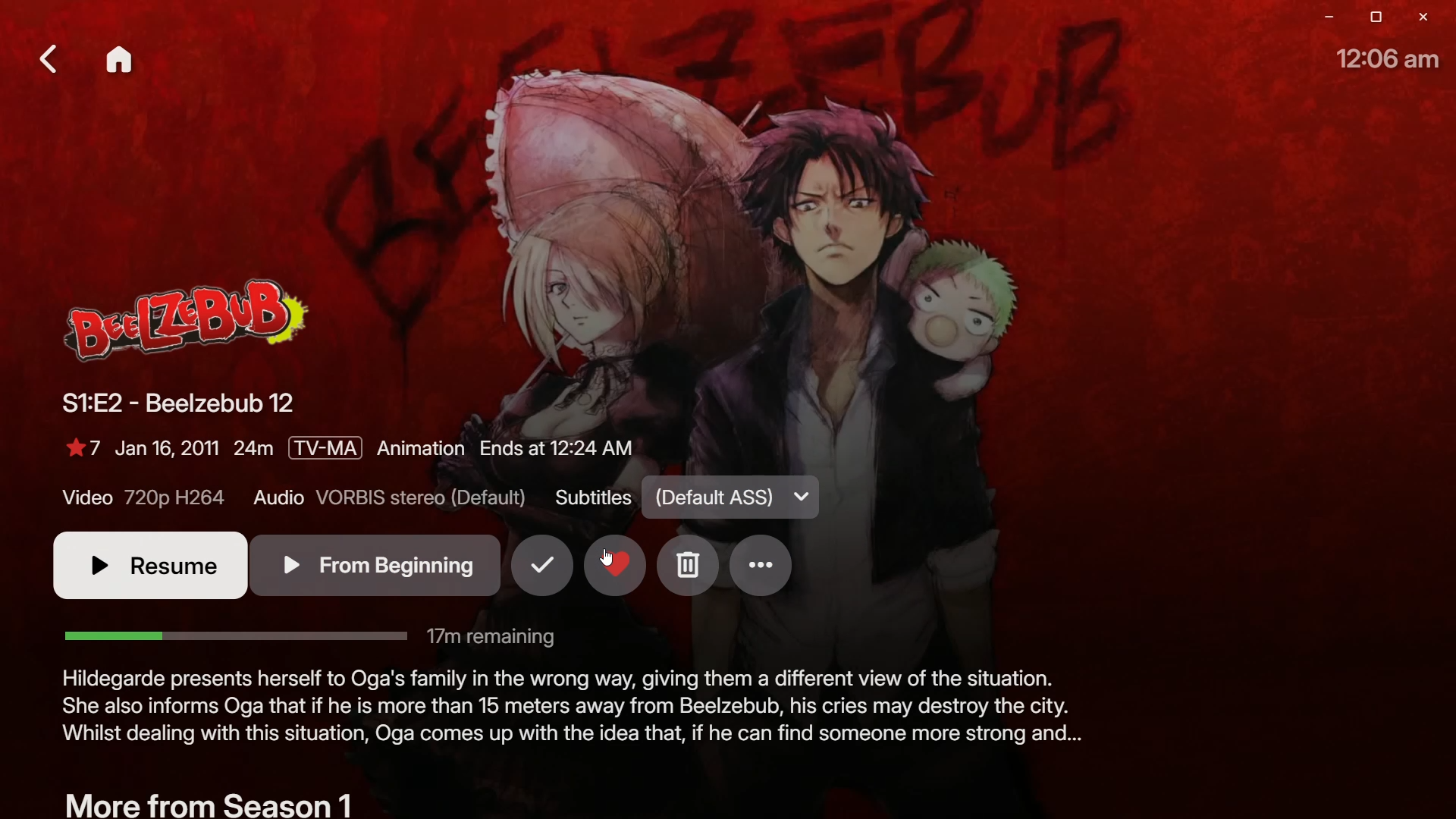 The height and width of the screenshot is (819, 1456). I want to click on More From Season 1, so click(208, 801).